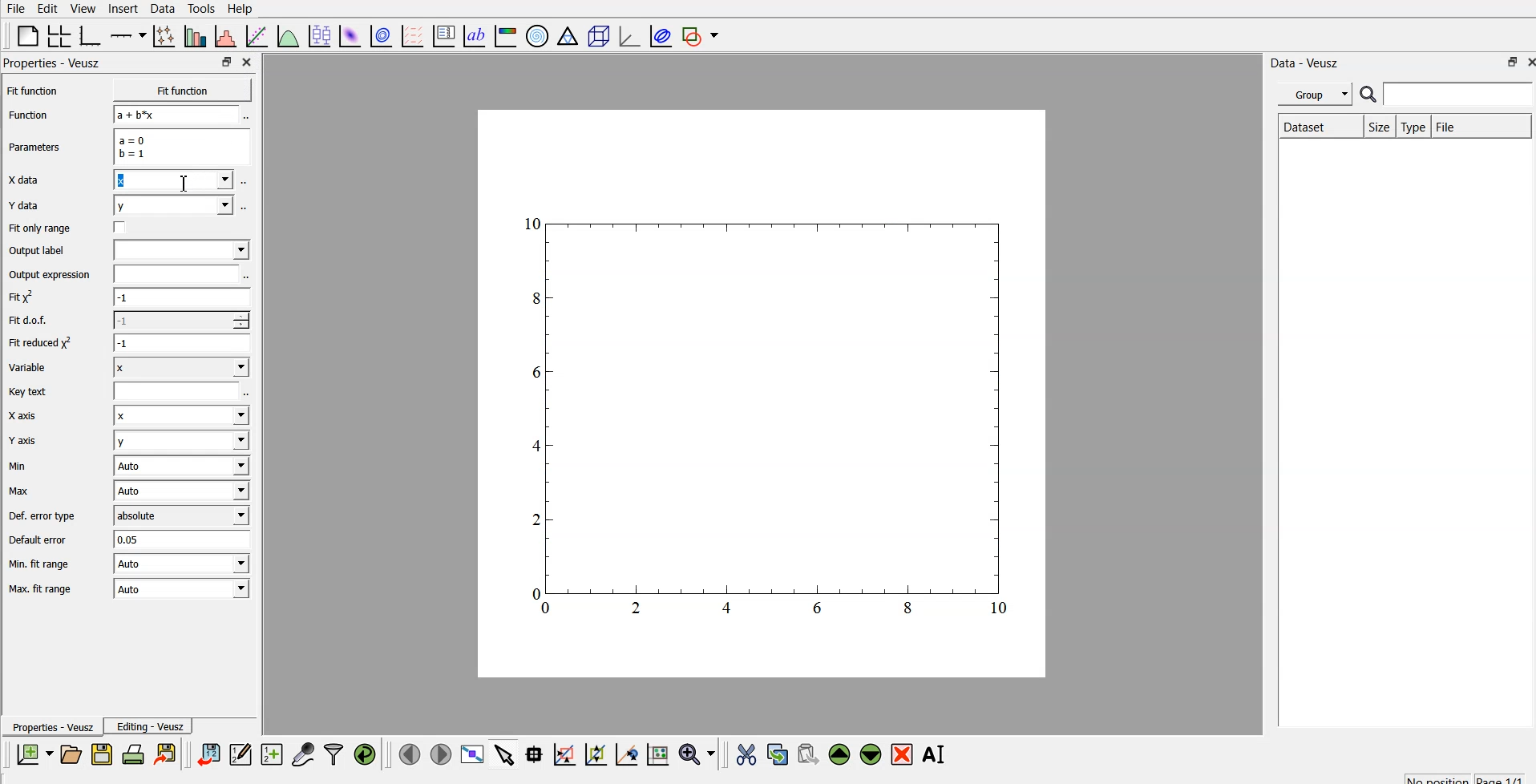 This screenshot has width=1536, height=784. Describe the element at coordinates (59, 34) in the screenshot. I see `arrange graphs in a grid` at that location.